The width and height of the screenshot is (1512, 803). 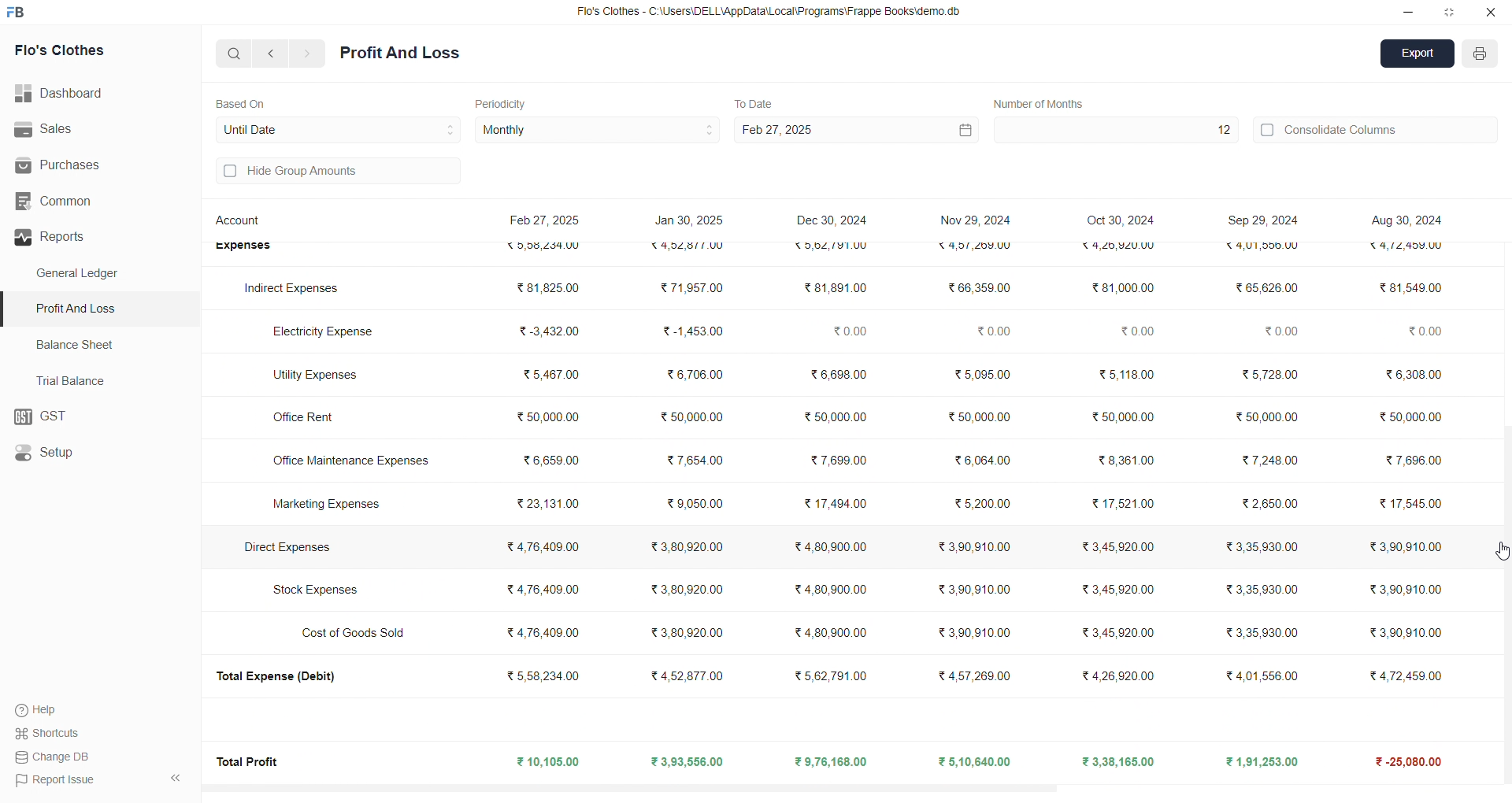 What do you see at coordinates (691, 631) in the screenshot?
I see `₹3,80,920.00` at bounding box center [691, 631].